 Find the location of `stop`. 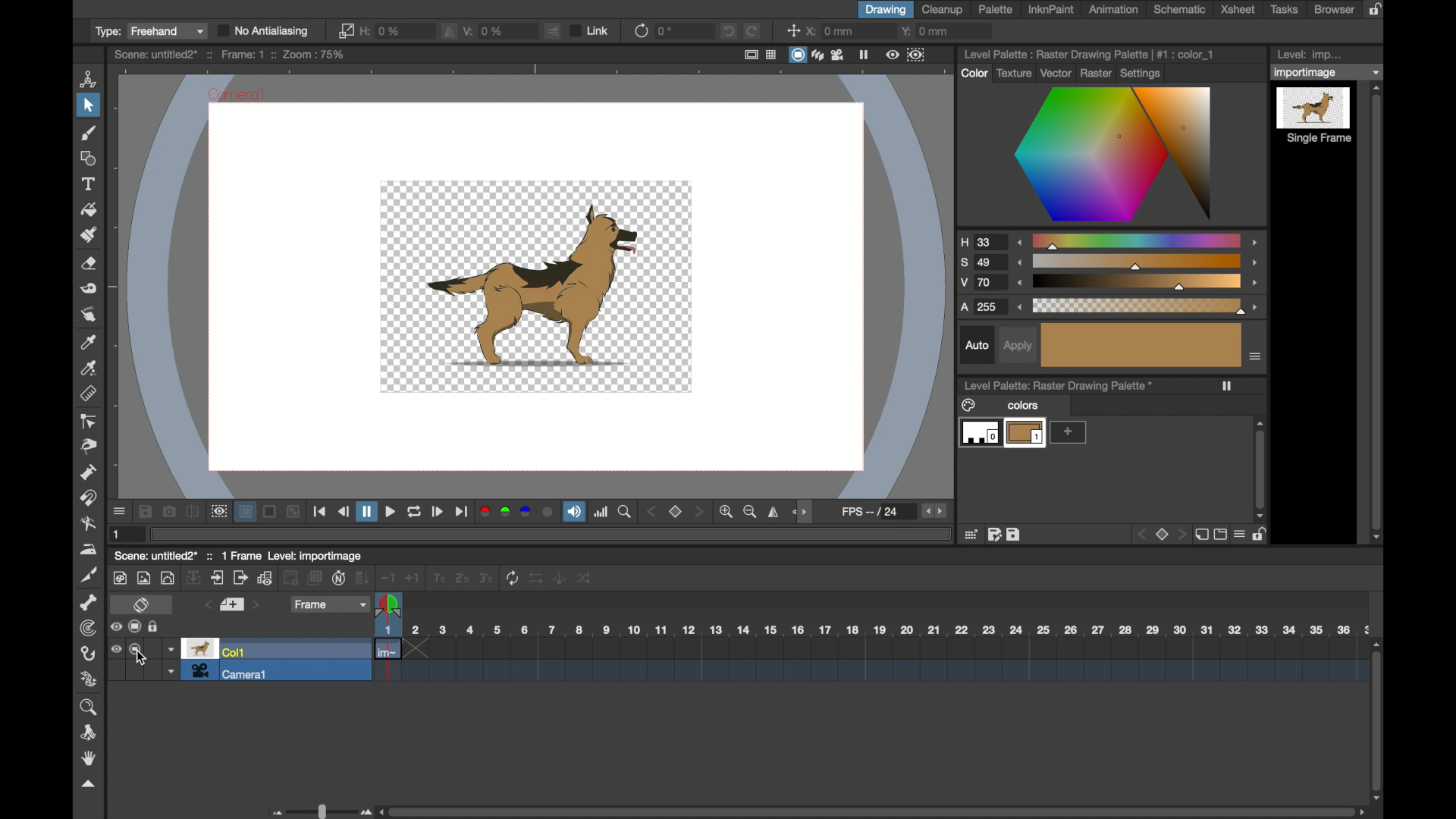

stop is located at coordinates (676, 512).